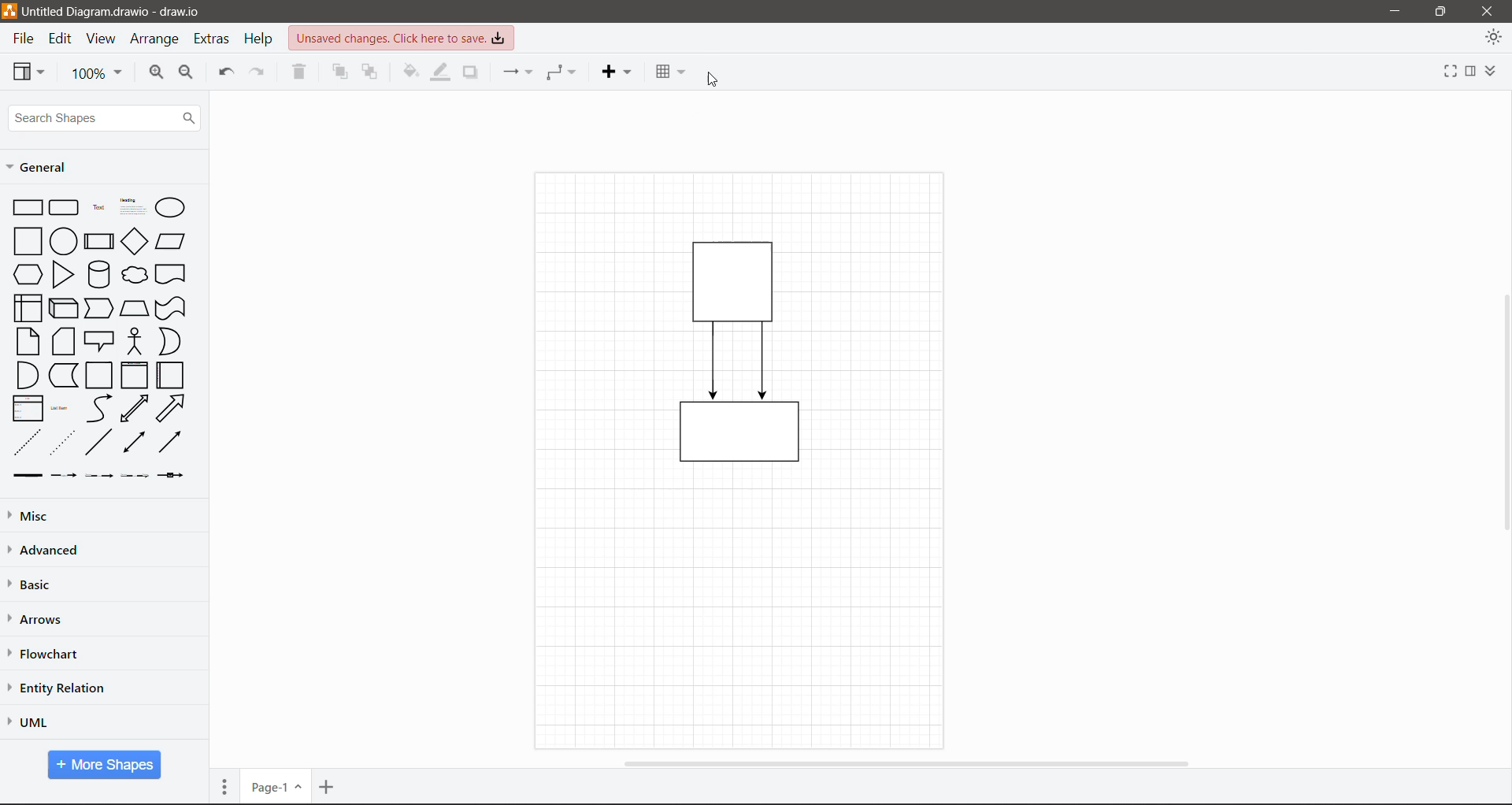 Image resolution: width=1512 pixels, height=805 pixels. Describe the element at coordinates (1447, 73) in the screenshot. I see `Fullscreen` at that location.